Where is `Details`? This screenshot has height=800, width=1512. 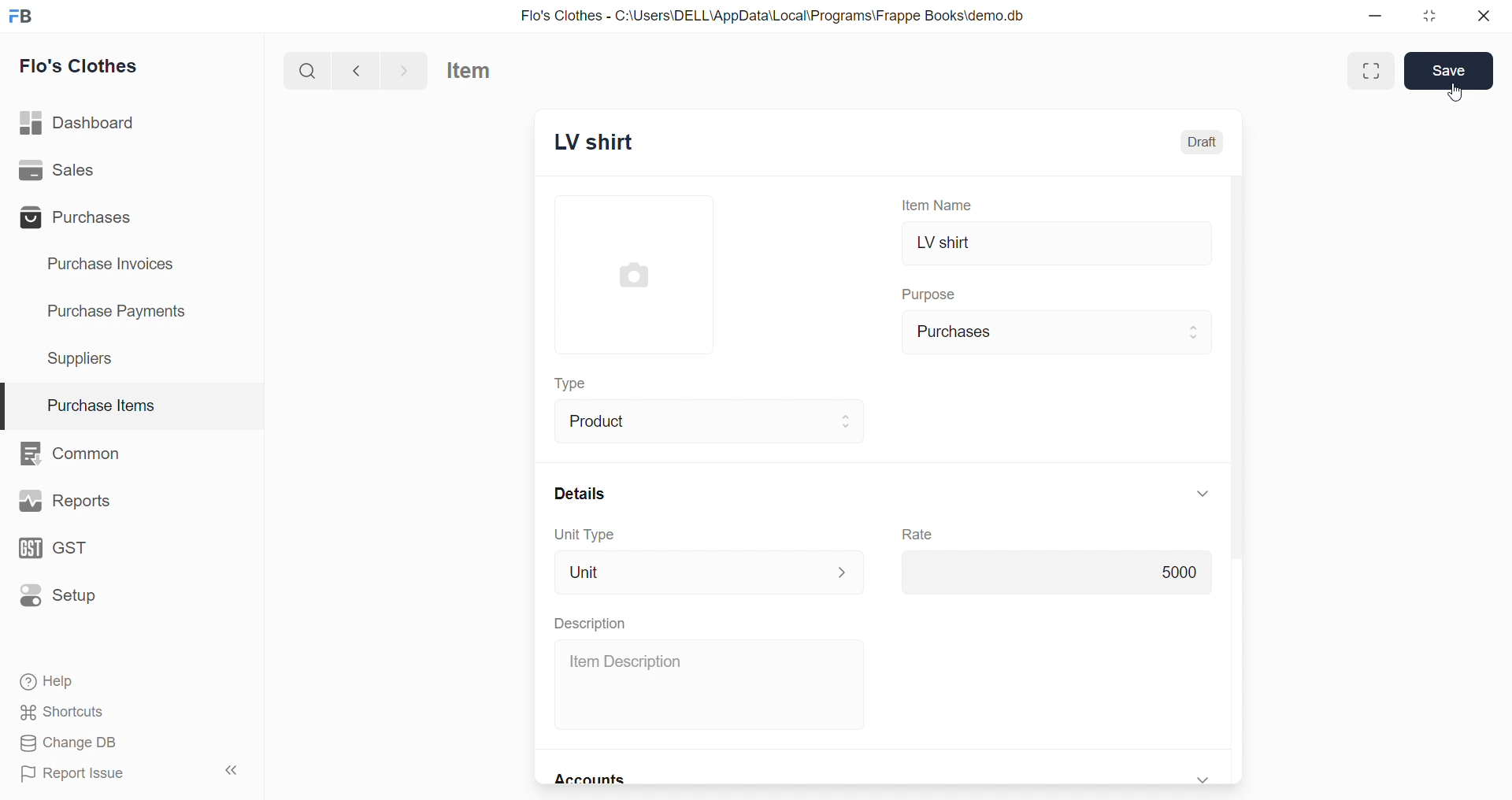
Details is located at coordinates (576, 493).